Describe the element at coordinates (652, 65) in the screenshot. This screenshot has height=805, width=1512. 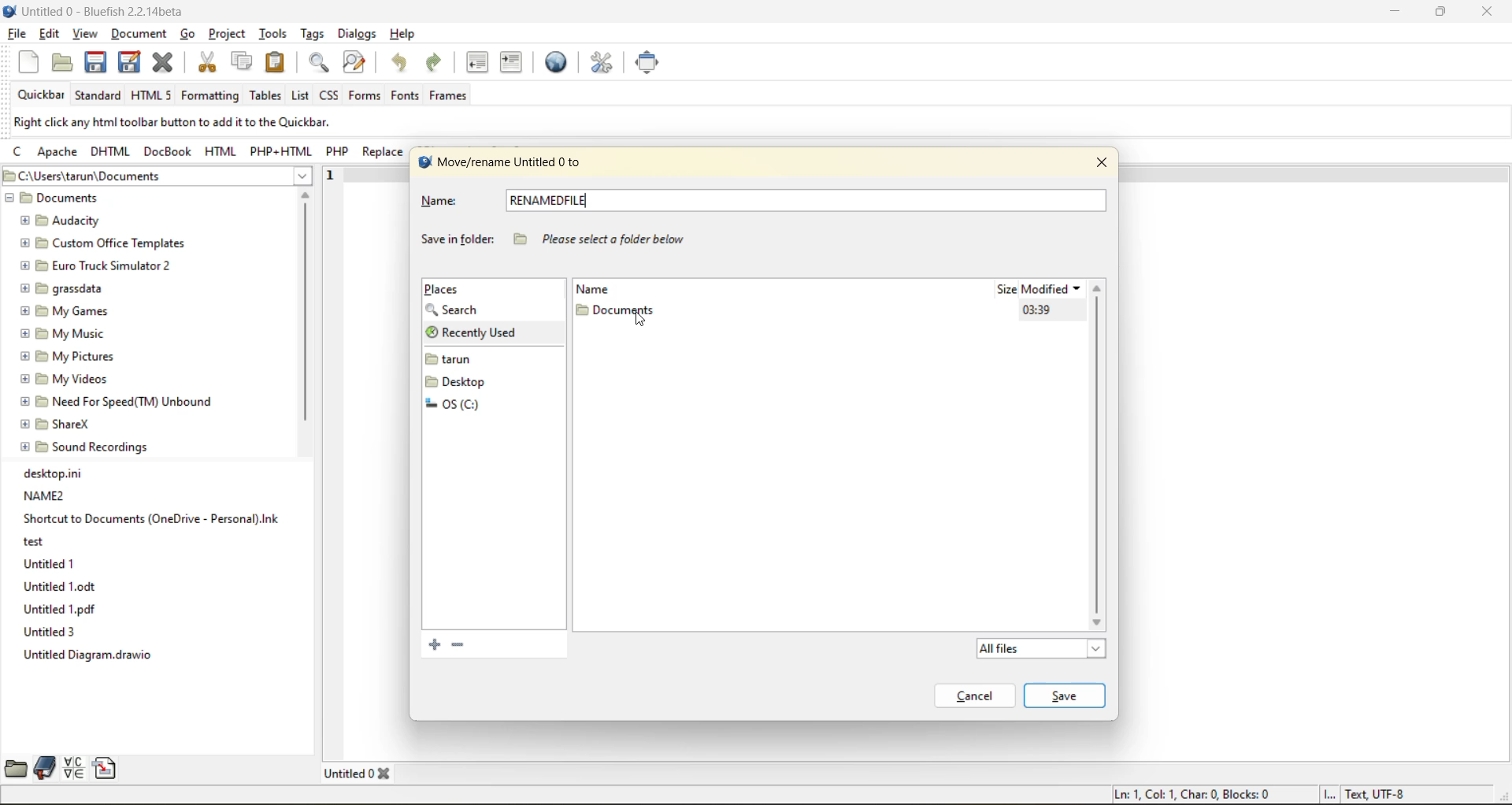
I see `full screen` at that location.